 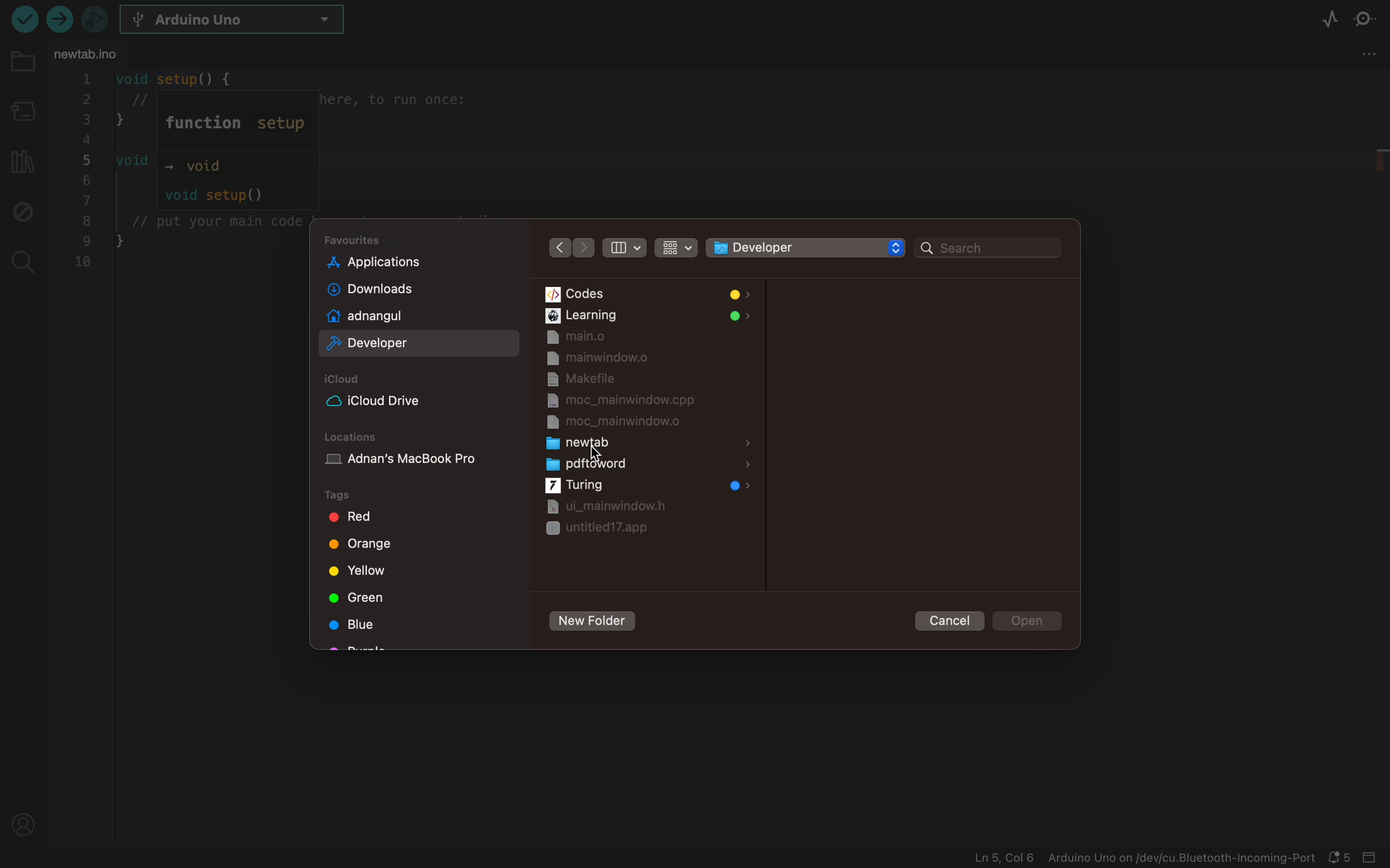 What do you see at coordinates (1342, 858) in the screenshot?
I see `notification` at bounding box center [1342, 858].